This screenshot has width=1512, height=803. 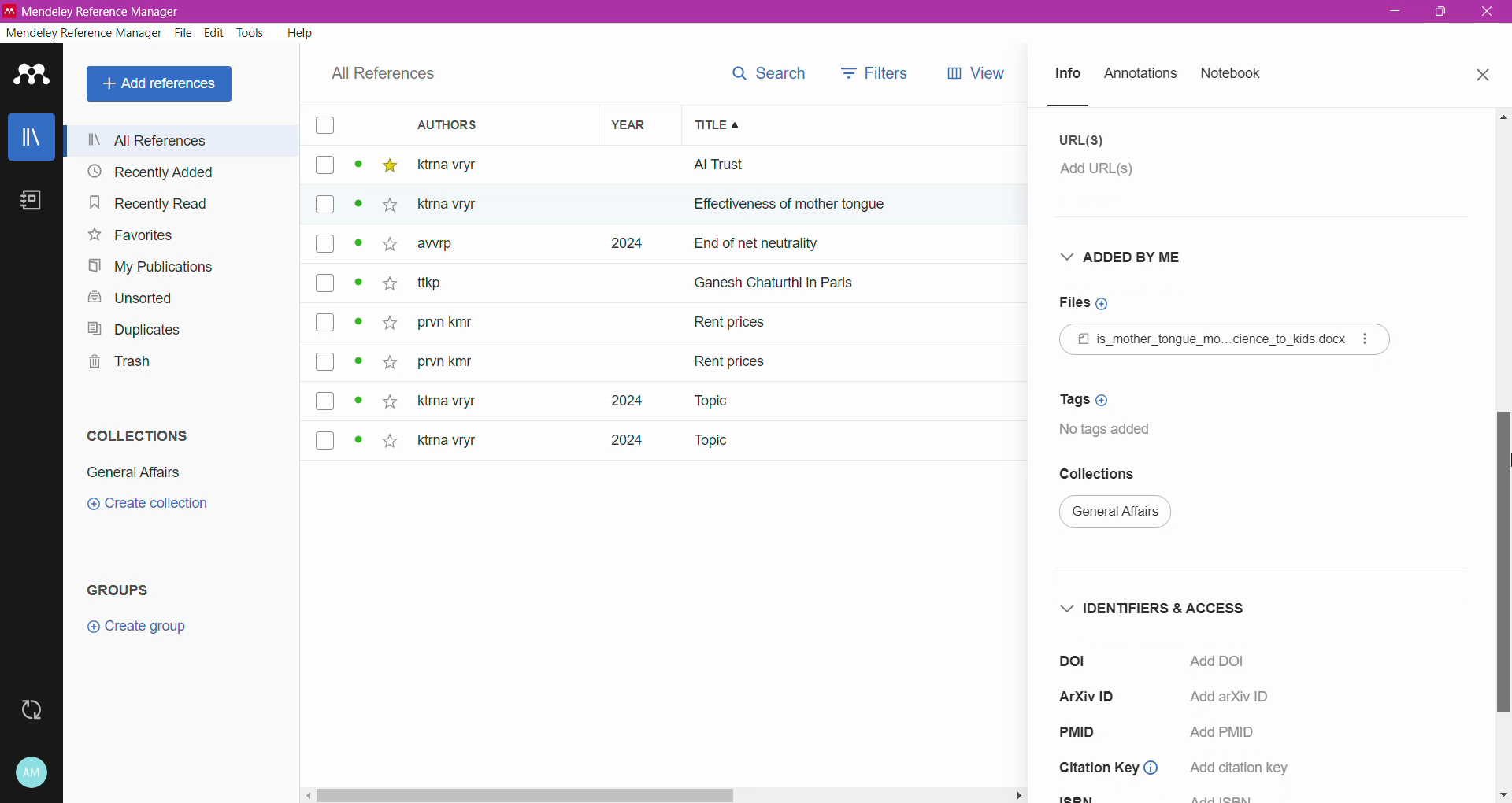 What do you see at coordinates (136, 299) in the screenshot?
I see `Unsorted` at bounding box center [136, 299].